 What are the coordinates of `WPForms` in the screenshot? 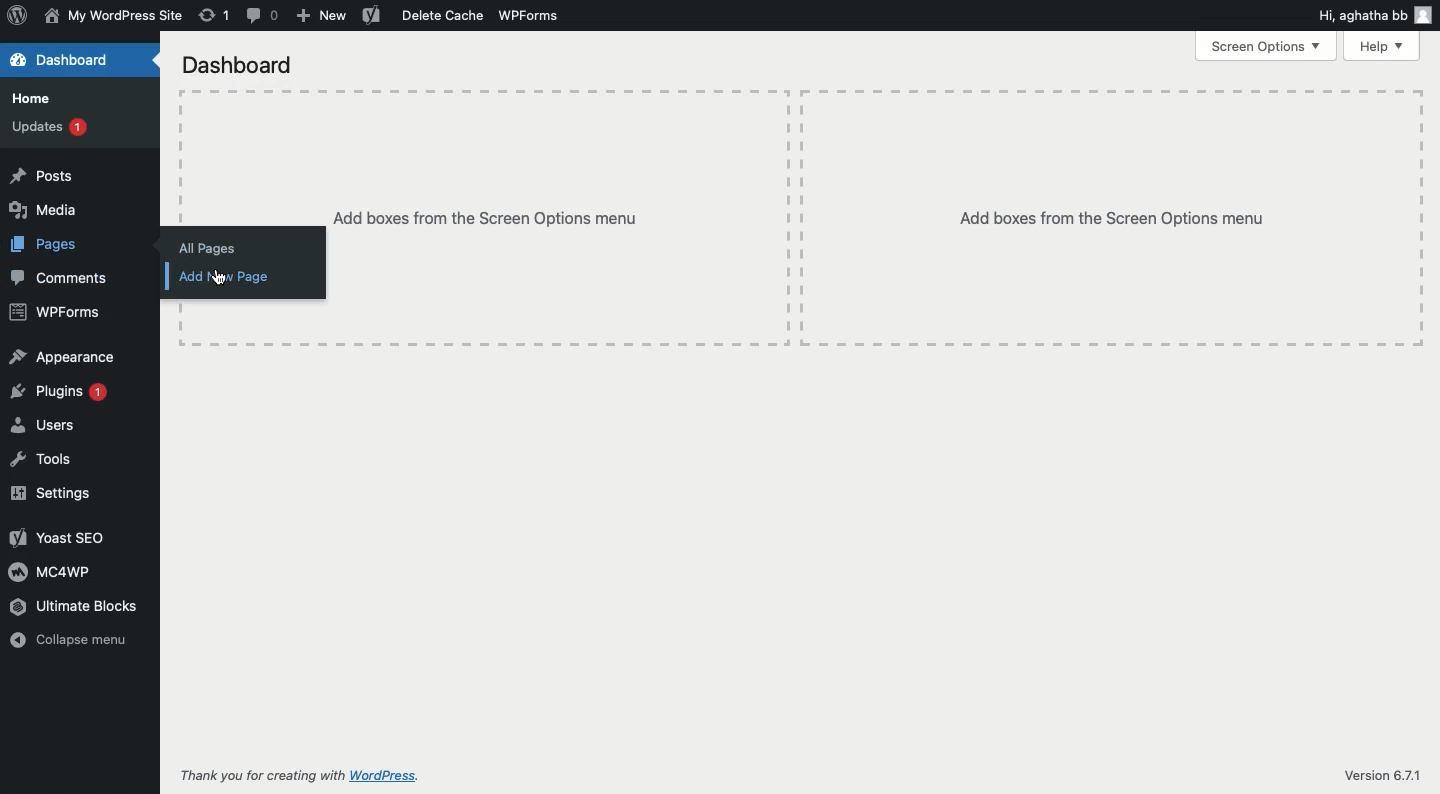 It's located at (53, 314).